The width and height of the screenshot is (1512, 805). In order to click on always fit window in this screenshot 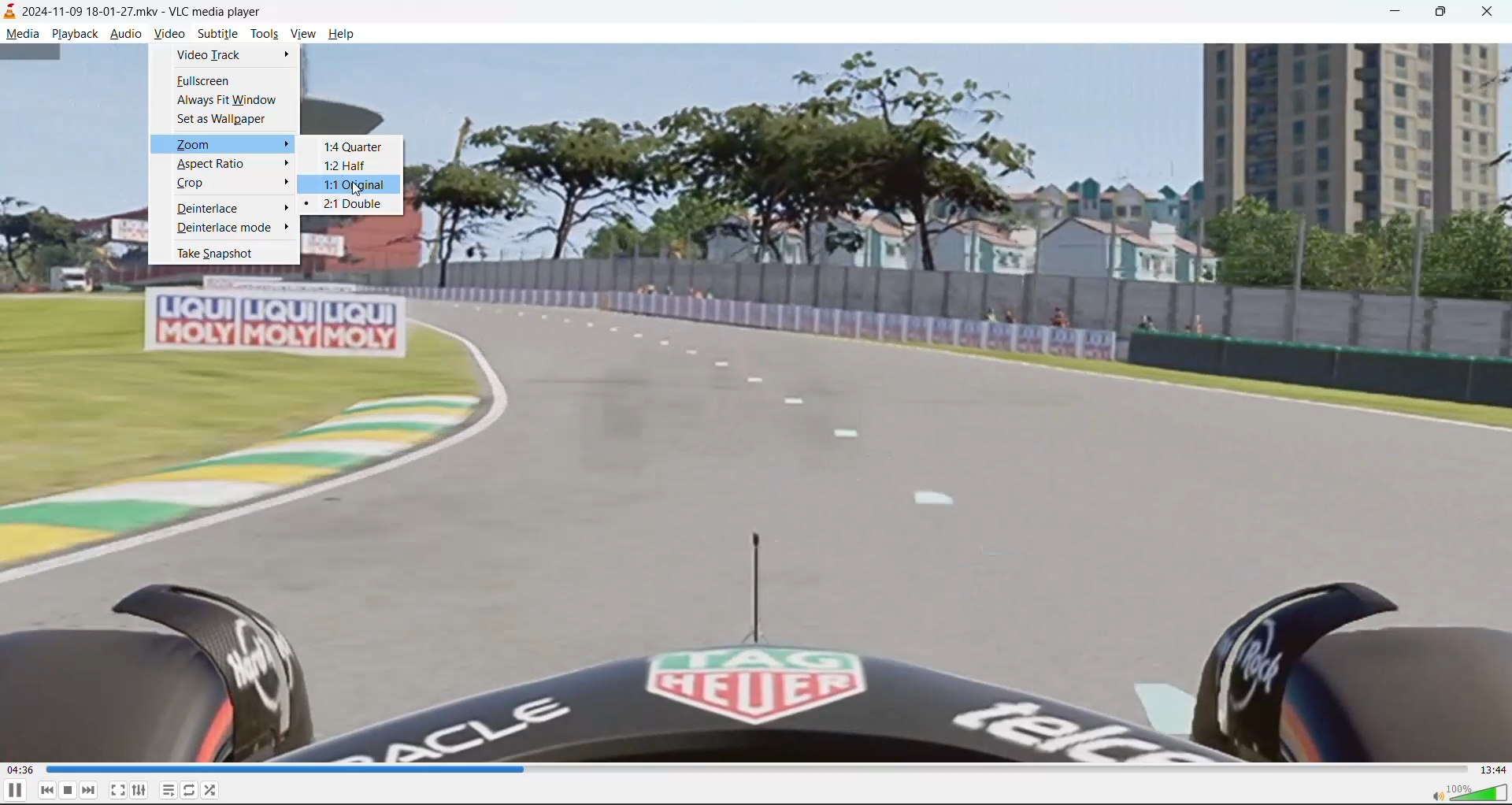, I will do `click(227, 100)`.